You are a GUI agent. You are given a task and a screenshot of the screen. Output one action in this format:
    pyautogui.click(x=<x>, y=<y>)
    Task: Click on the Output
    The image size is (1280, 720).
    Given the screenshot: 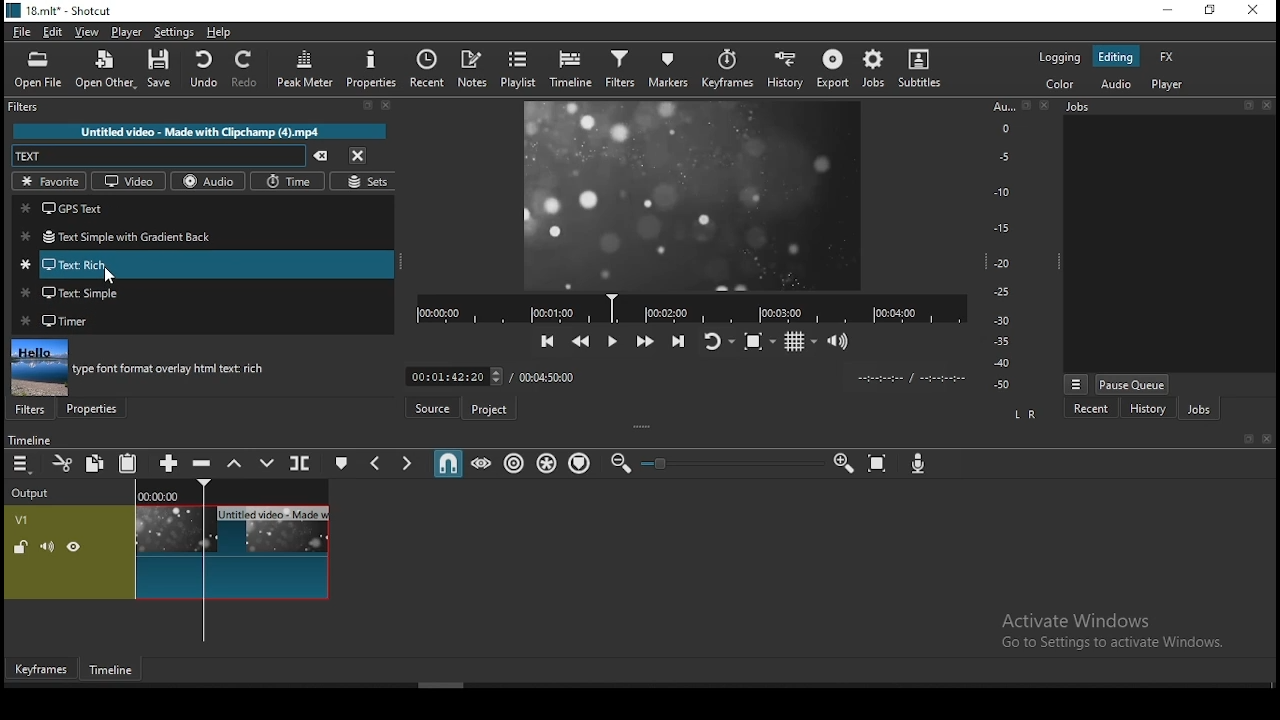 What is the action you would take?
    pyautogui.click(x=34, y=490)
    